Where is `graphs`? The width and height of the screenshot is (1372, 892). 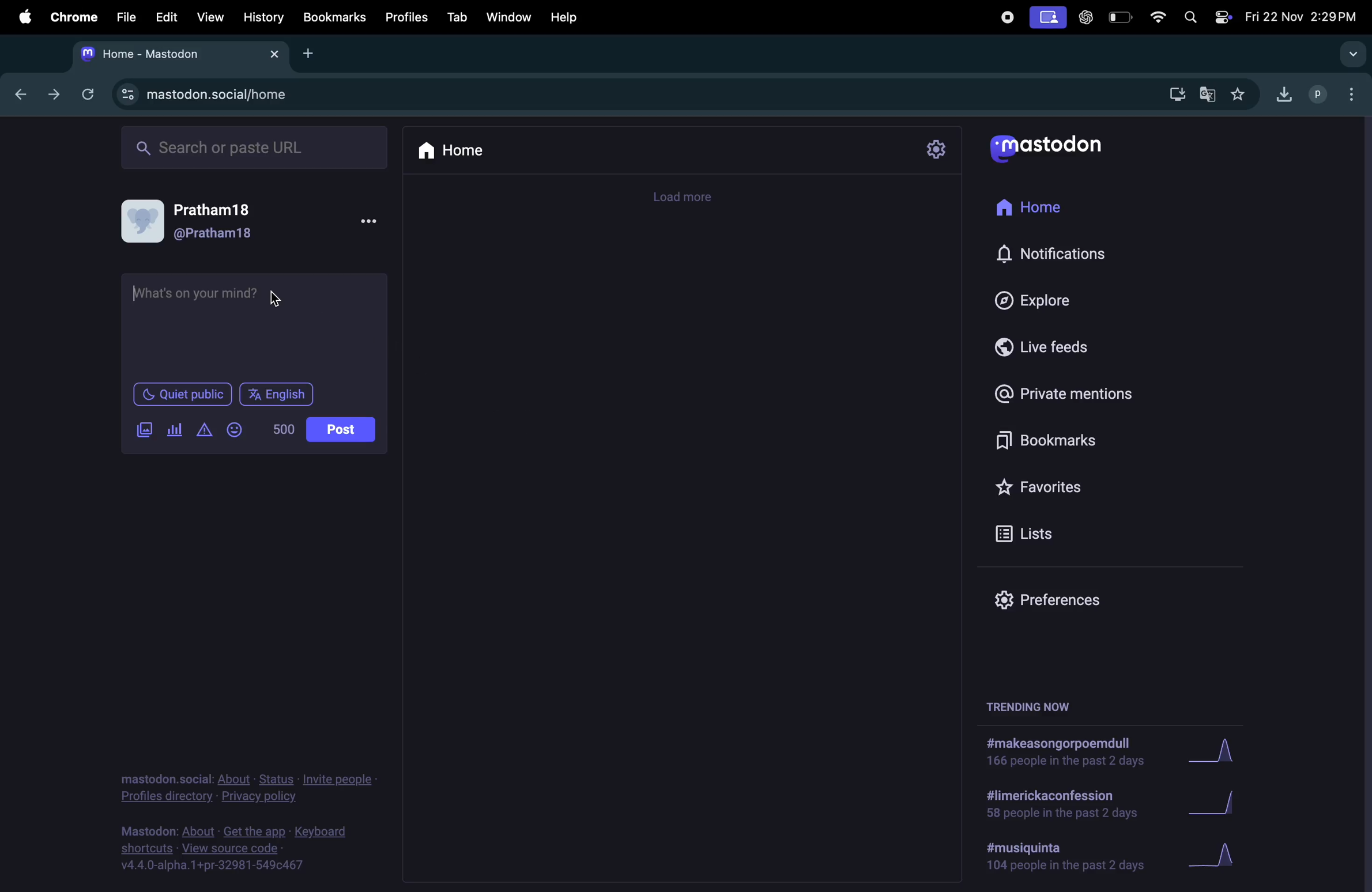
graphs is located at coordinates (1251, 855).